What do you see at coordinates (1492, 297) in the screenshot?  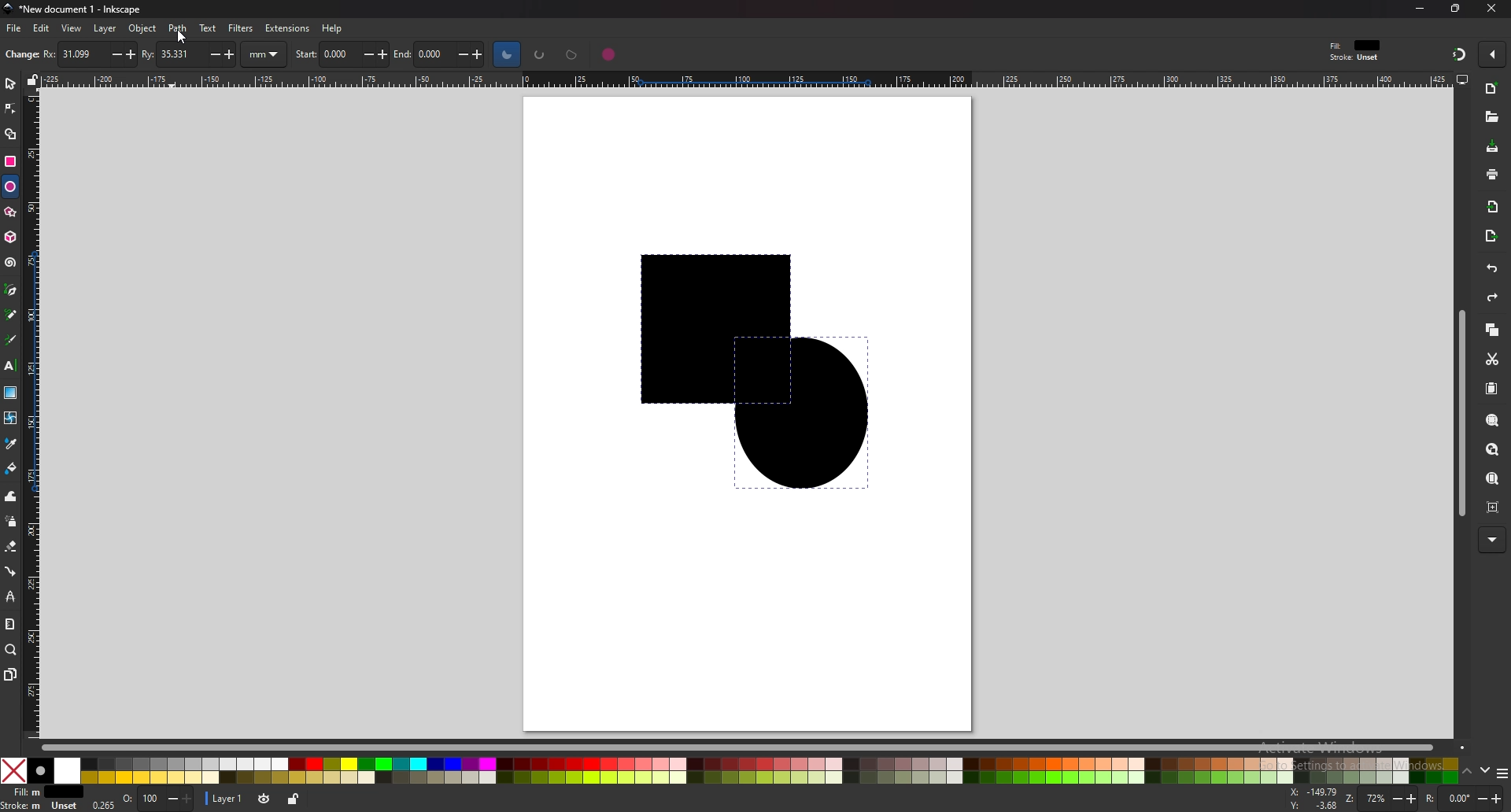 I see `redo` at bounding box center [1492, 297].